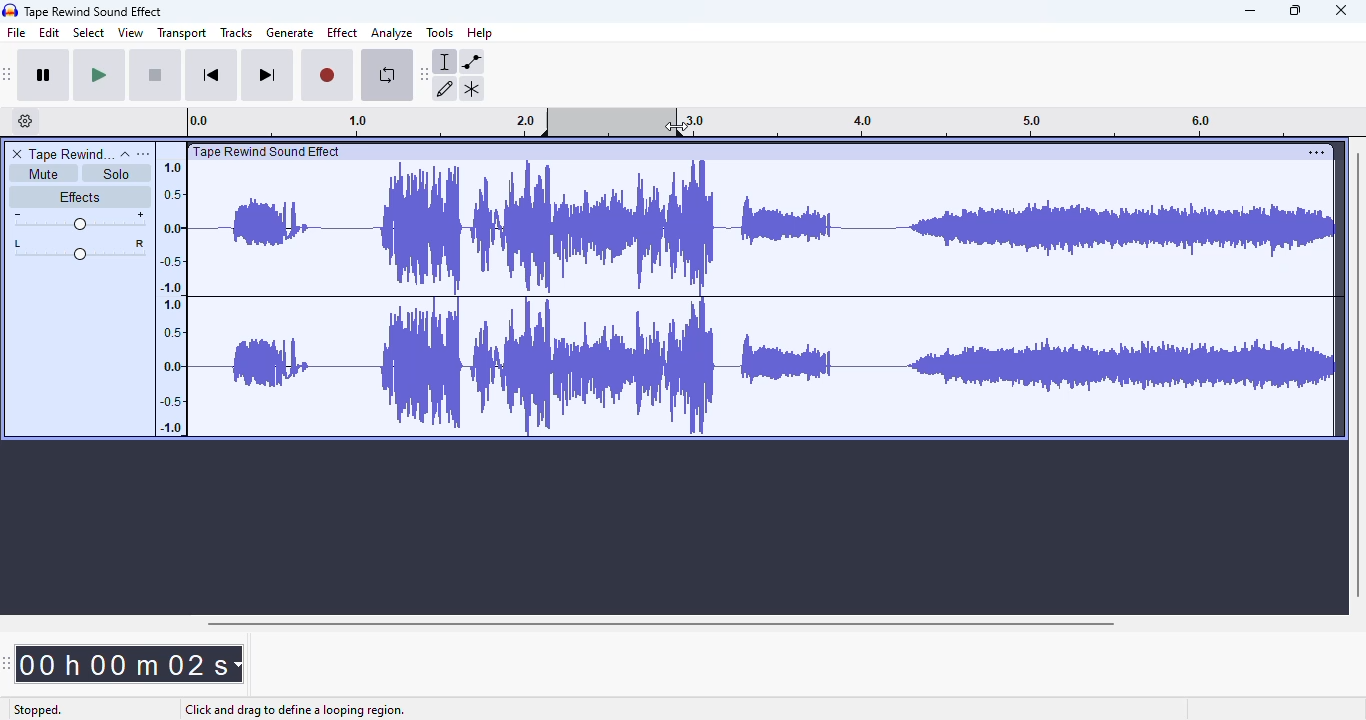 This screenshot has height=720, width=1366. Describe the element at coordinates (290, 33) in the screenshot. I see `generate` at that location.